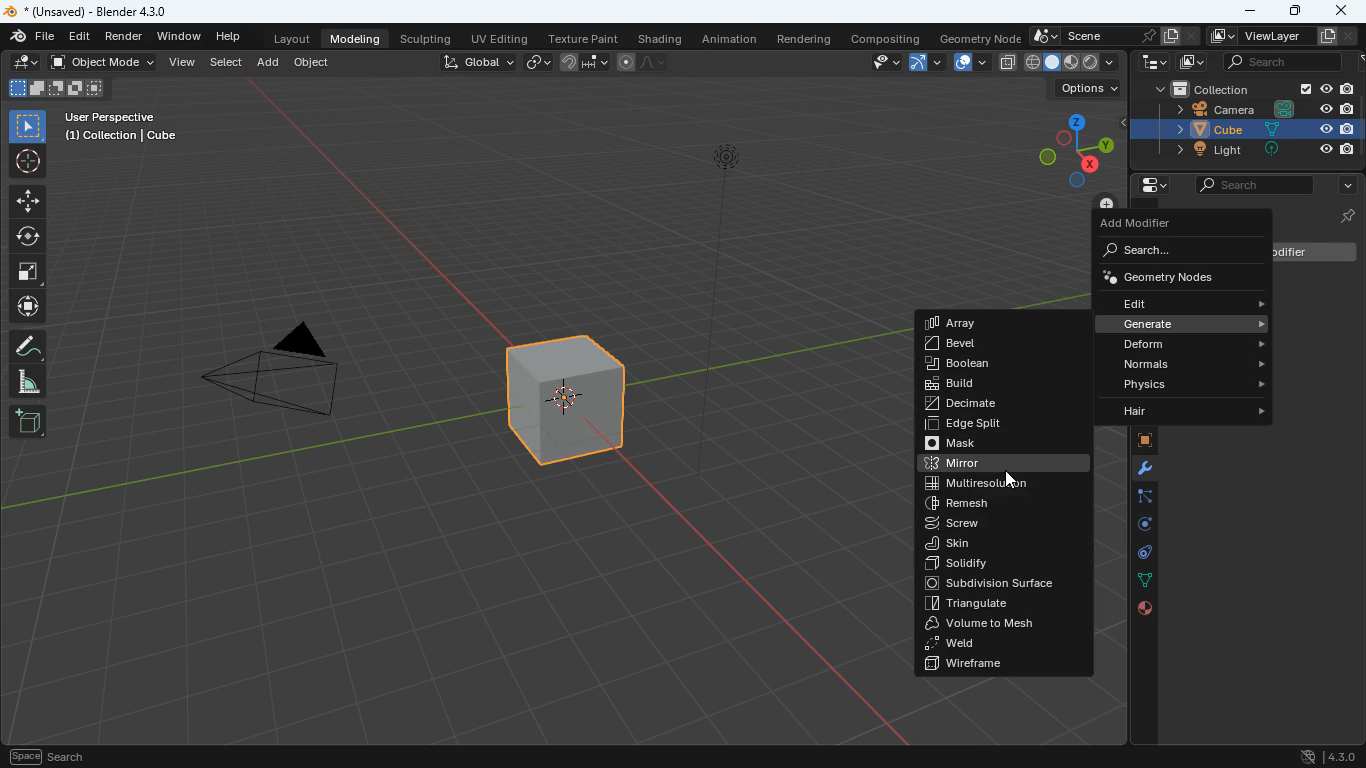 This screenshot has width=1366, height=768. I want to click on build, so click(999, 383).